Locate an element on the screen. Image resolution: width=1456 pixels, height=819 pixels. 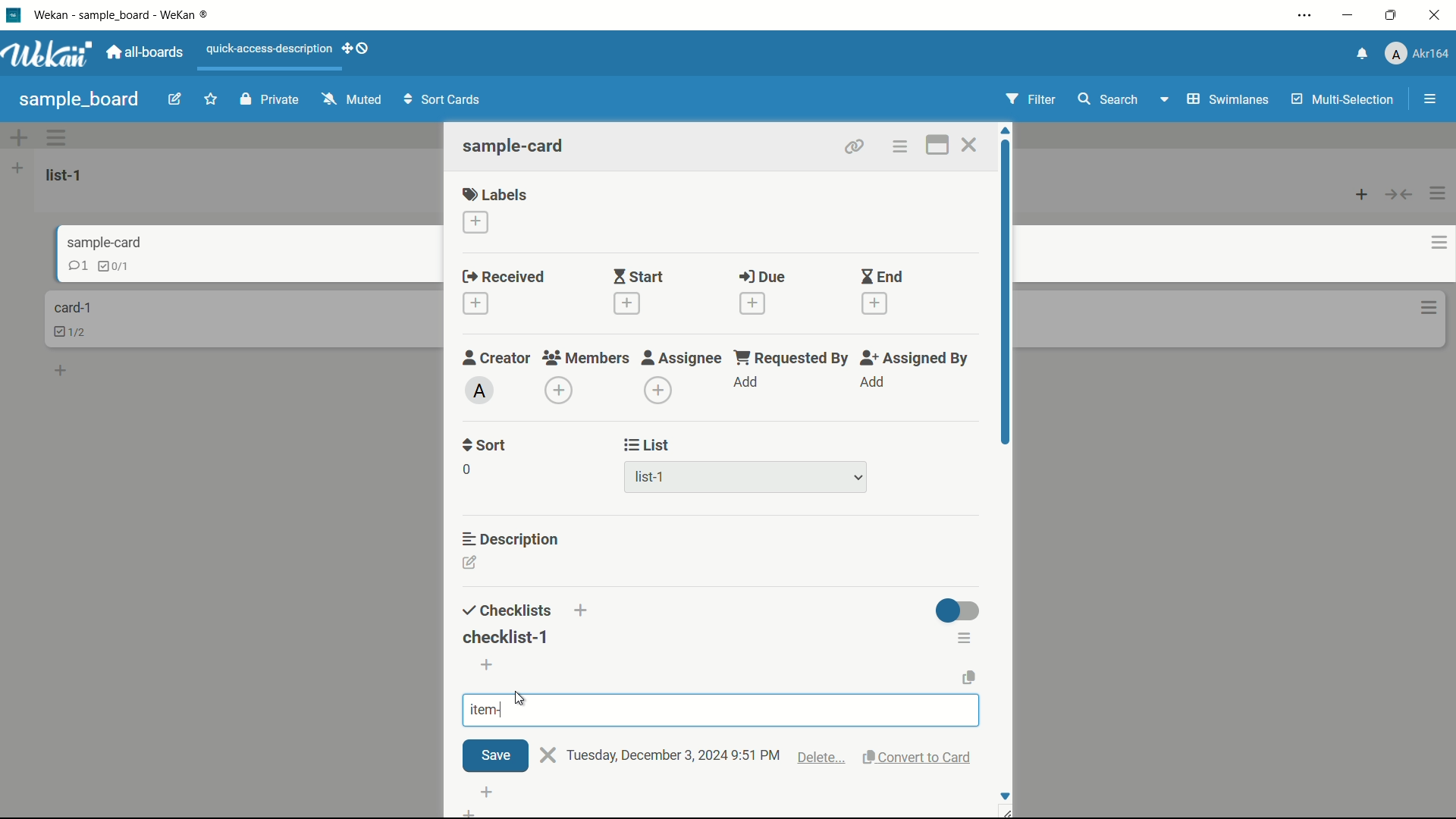
multi-selection is located at coordinates (1343, 99).